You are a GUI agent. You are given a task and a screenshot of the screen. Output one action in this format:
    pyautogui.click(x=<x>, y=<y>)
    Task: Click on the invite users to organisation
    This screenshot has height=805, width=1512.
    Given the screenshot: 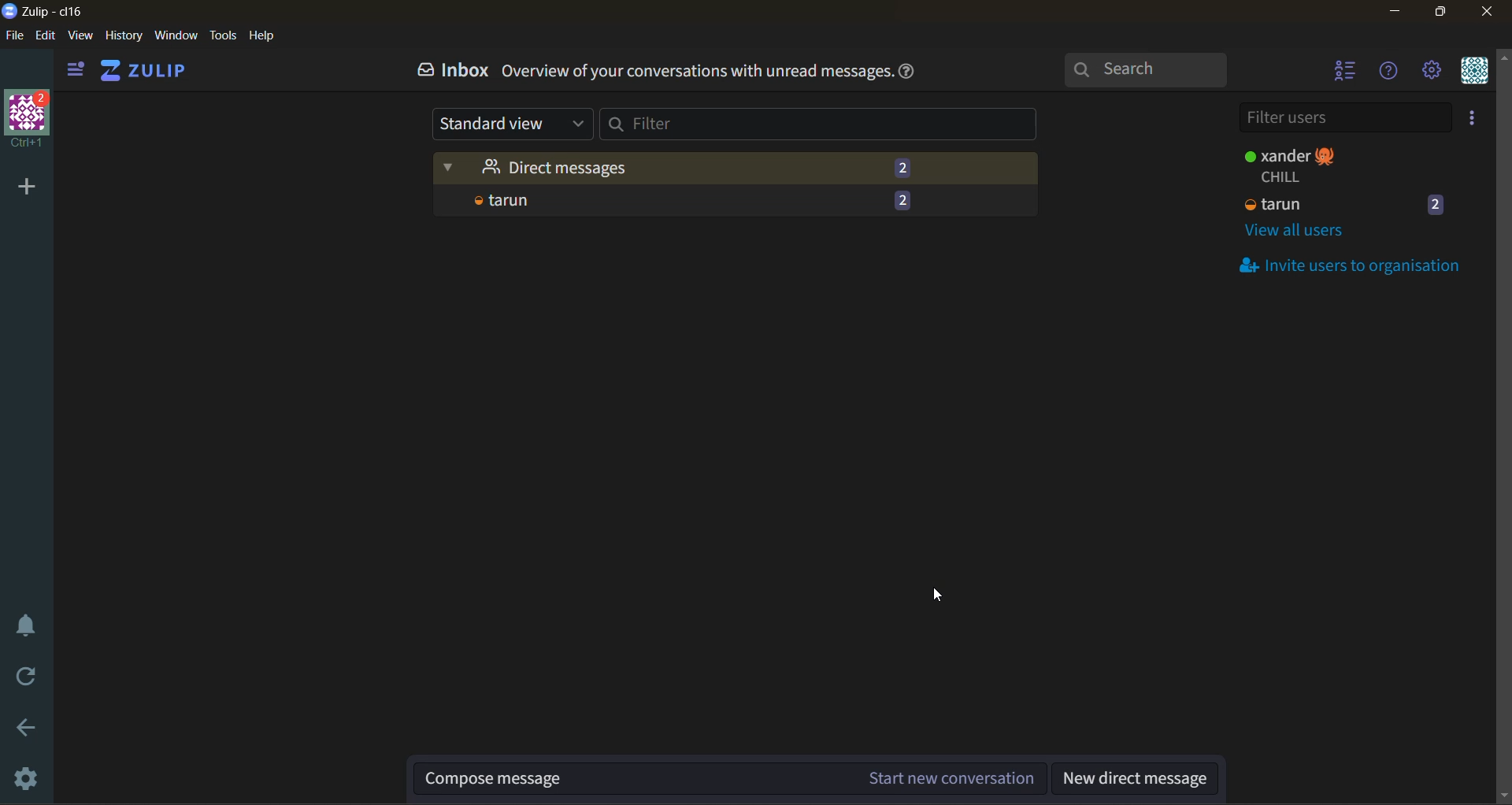 What is the action you would take?
    pyautogui.click(x=1475, y=120)
    